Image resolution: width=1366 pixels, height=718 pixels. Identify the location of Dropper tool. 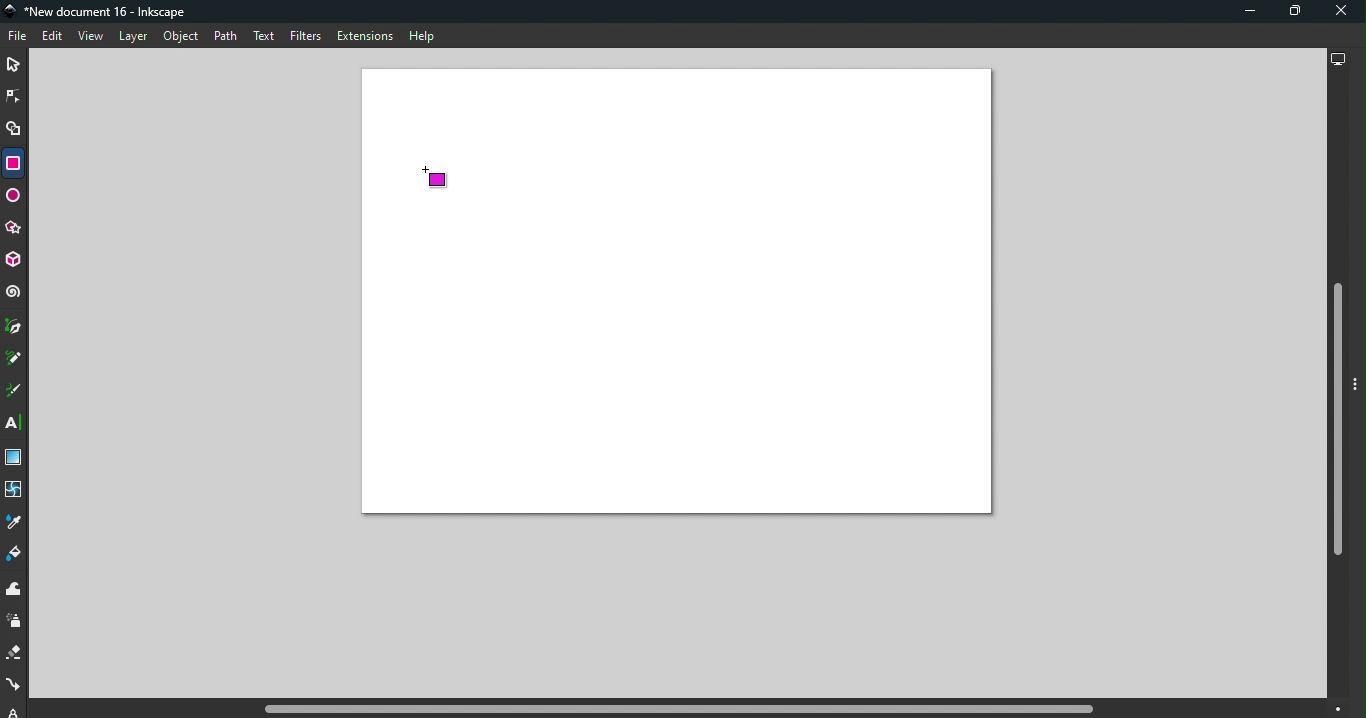
(14, 522).